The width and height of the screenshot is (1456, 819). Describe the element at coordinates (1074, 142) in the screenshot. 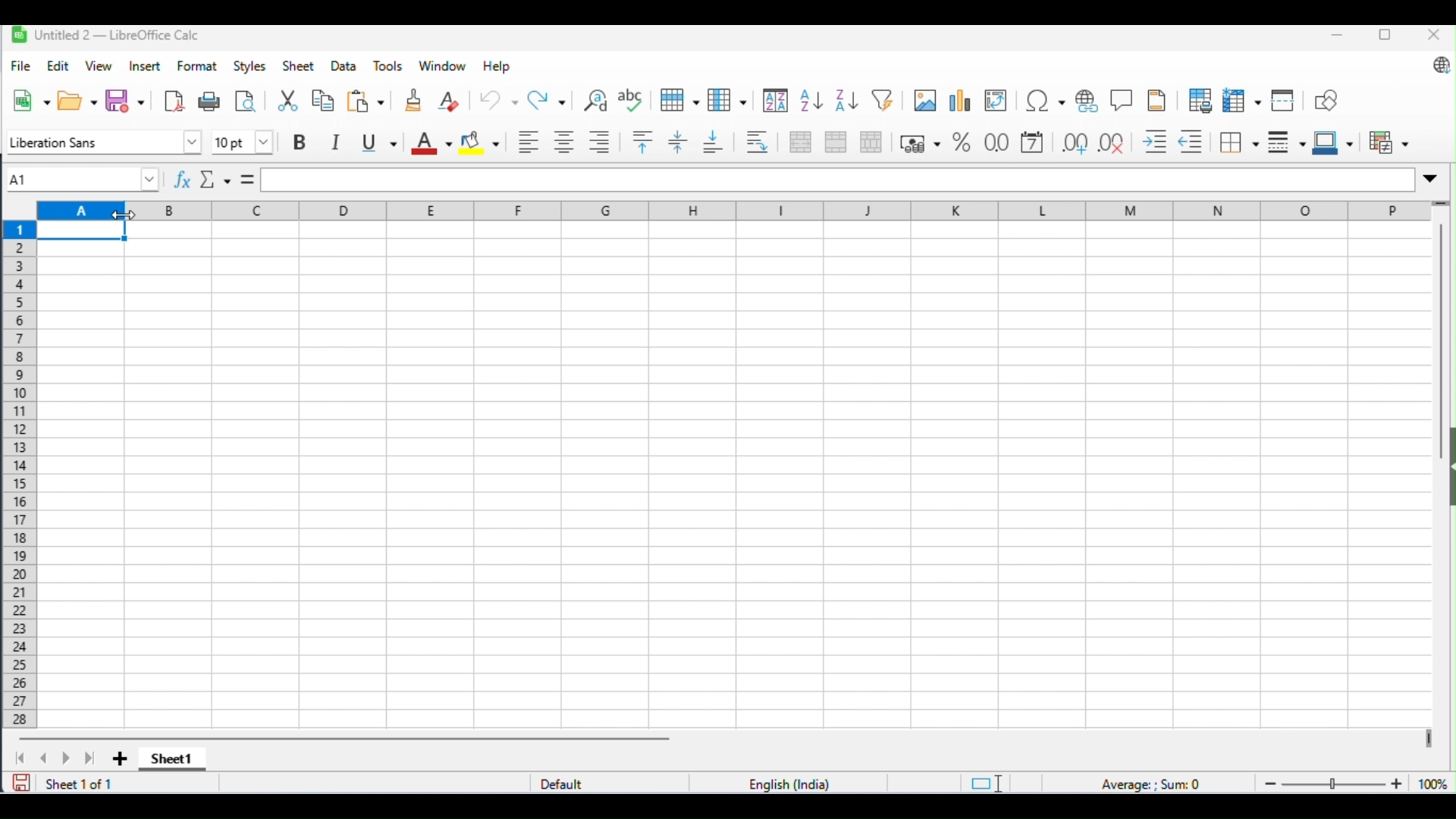

I see `add decimal place` at that location.